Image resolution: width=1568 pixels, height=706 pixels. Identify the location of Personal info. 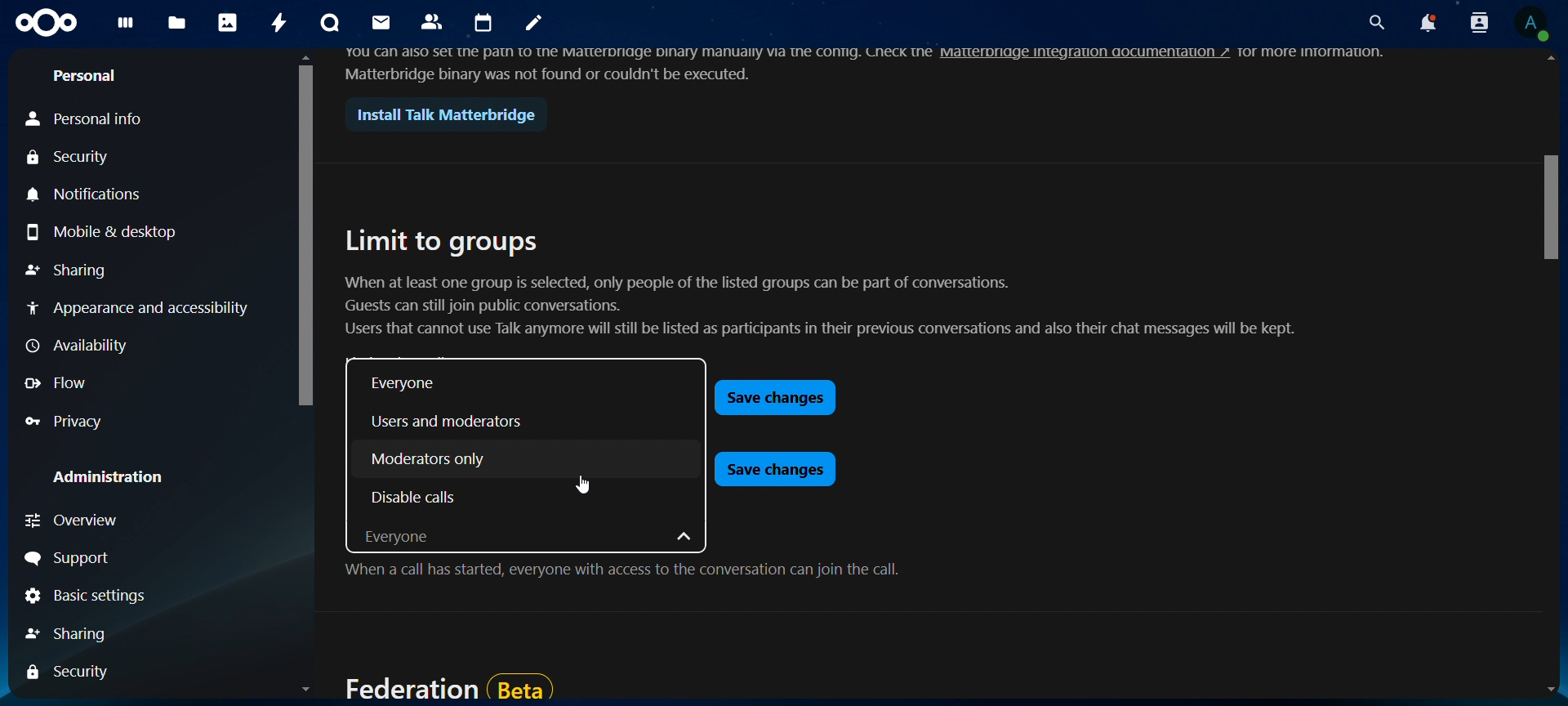
(90, 115).